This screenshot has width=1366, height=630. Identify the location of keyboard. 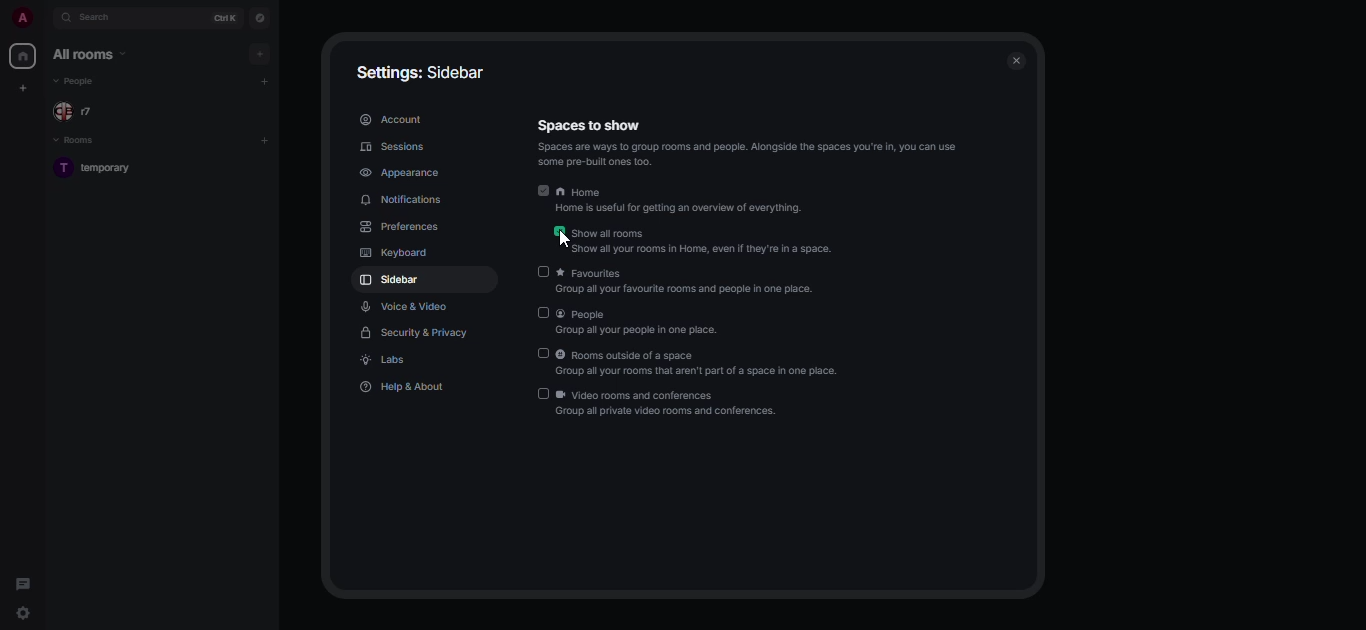
(393, 254).